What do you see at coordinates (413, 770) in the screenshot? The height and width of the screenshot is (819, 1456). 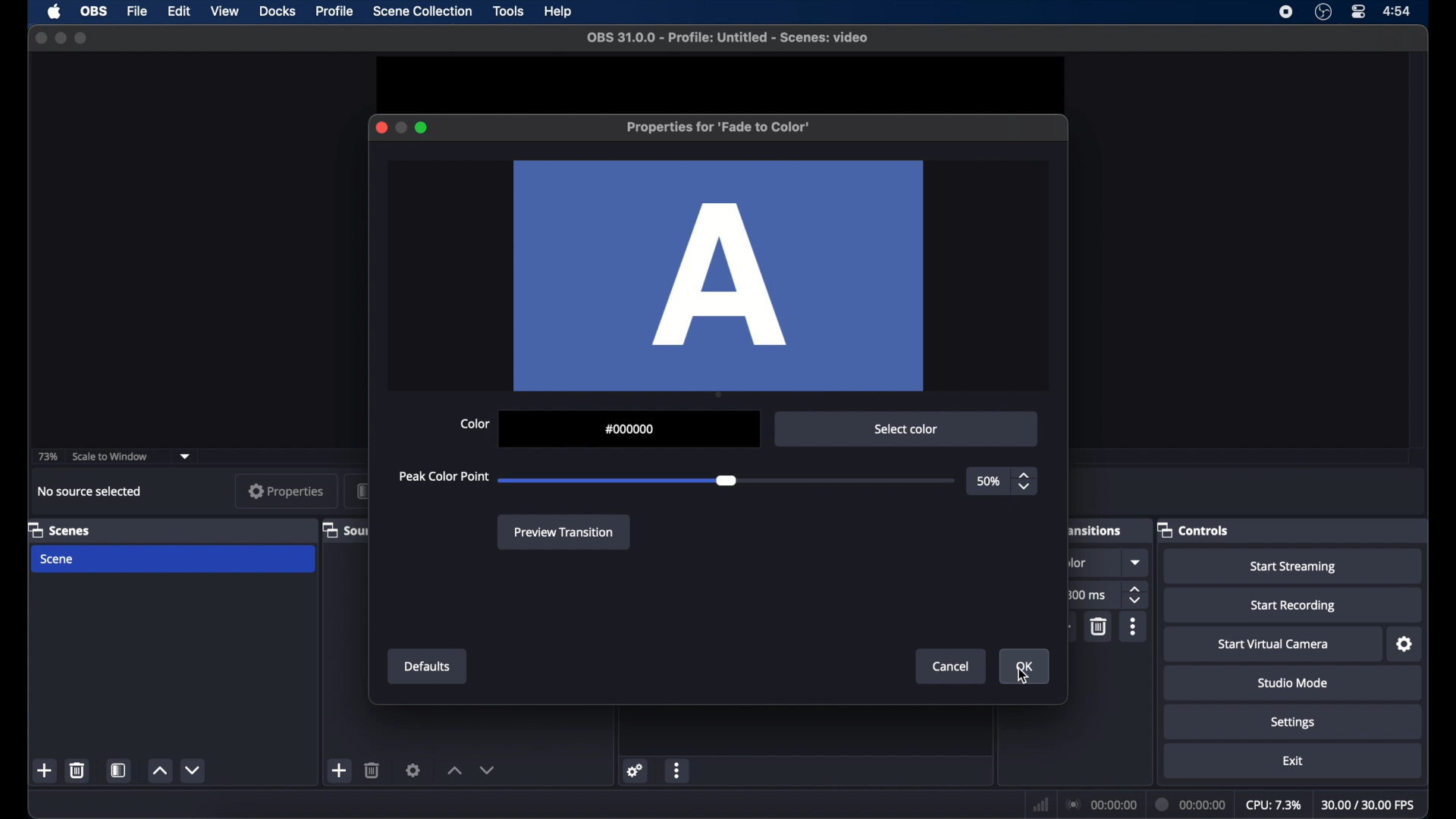 I see `settings` at bounding box center [413, 770].